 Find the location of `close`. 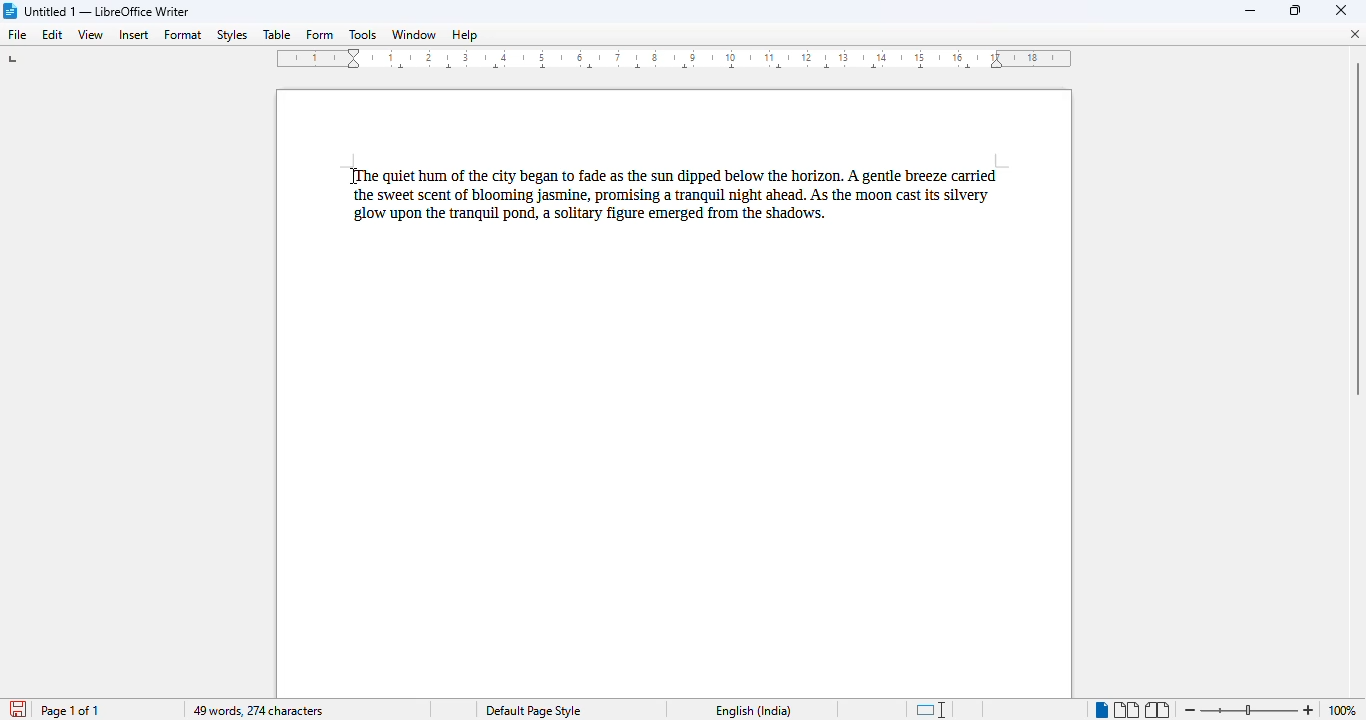

close is located at coordinates (1341, 9).